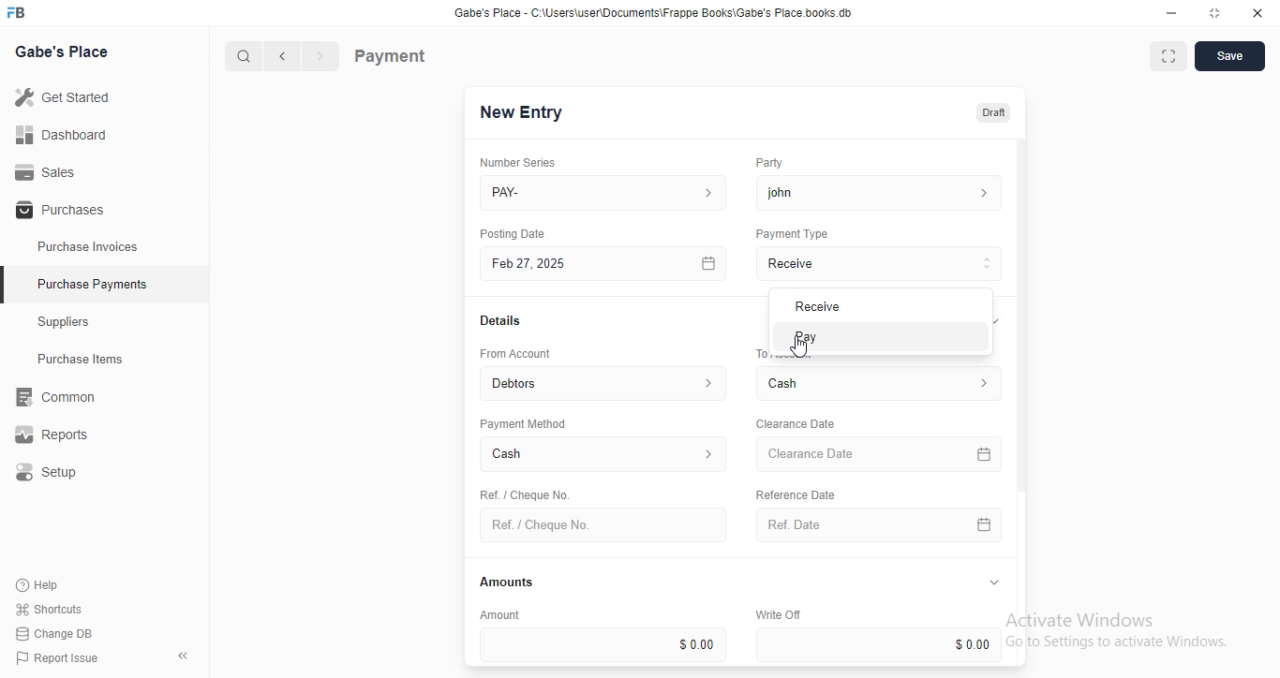 The height and width of the screenshot is (678, 1280). I want to click on Ref. Date, so click(879, 525).